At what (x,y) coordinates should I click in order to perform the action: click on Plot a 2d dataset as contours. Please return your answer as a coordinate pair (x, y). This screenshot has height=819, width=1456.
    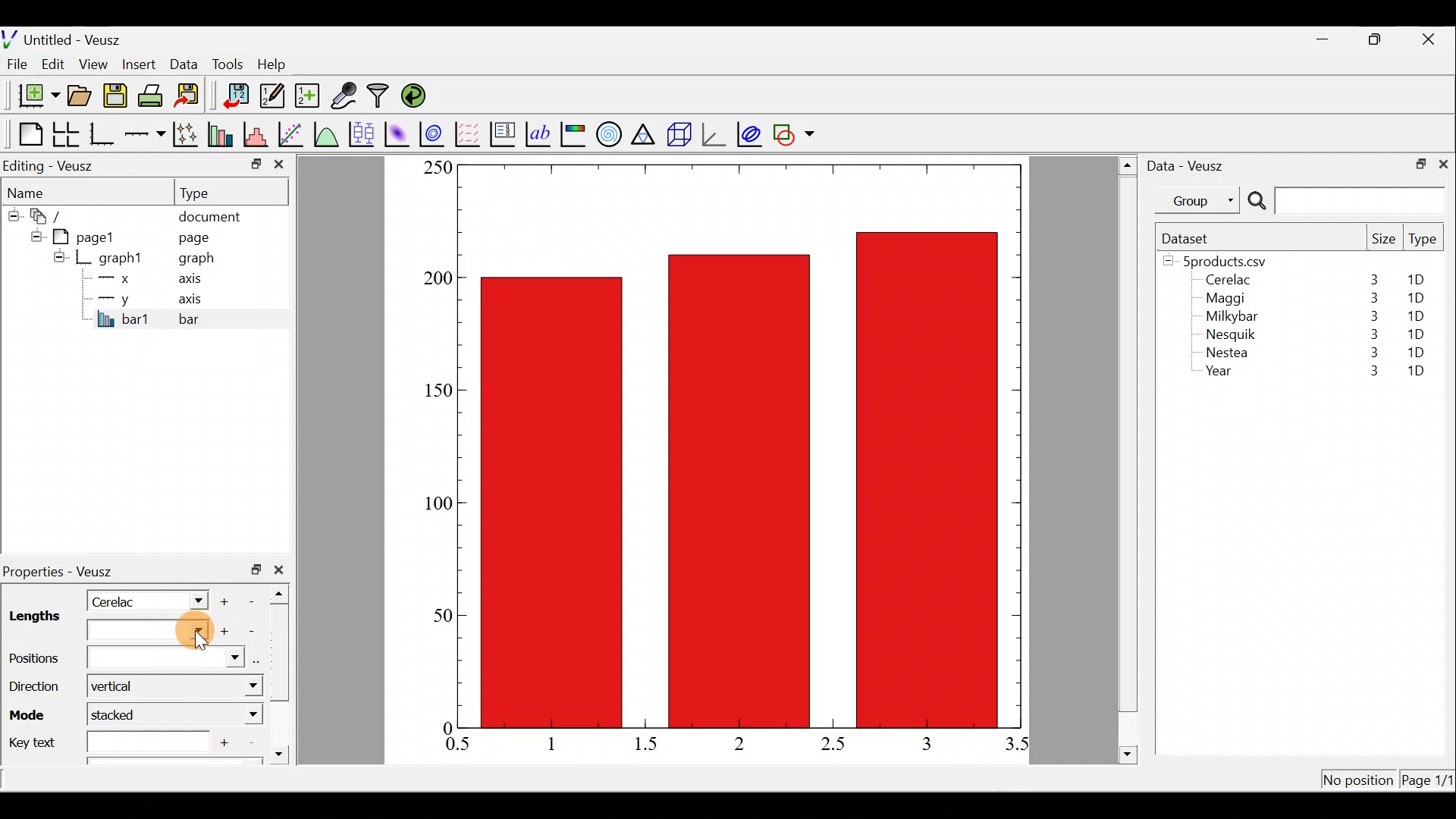
    Looking at the image, I should click on (435, 133).